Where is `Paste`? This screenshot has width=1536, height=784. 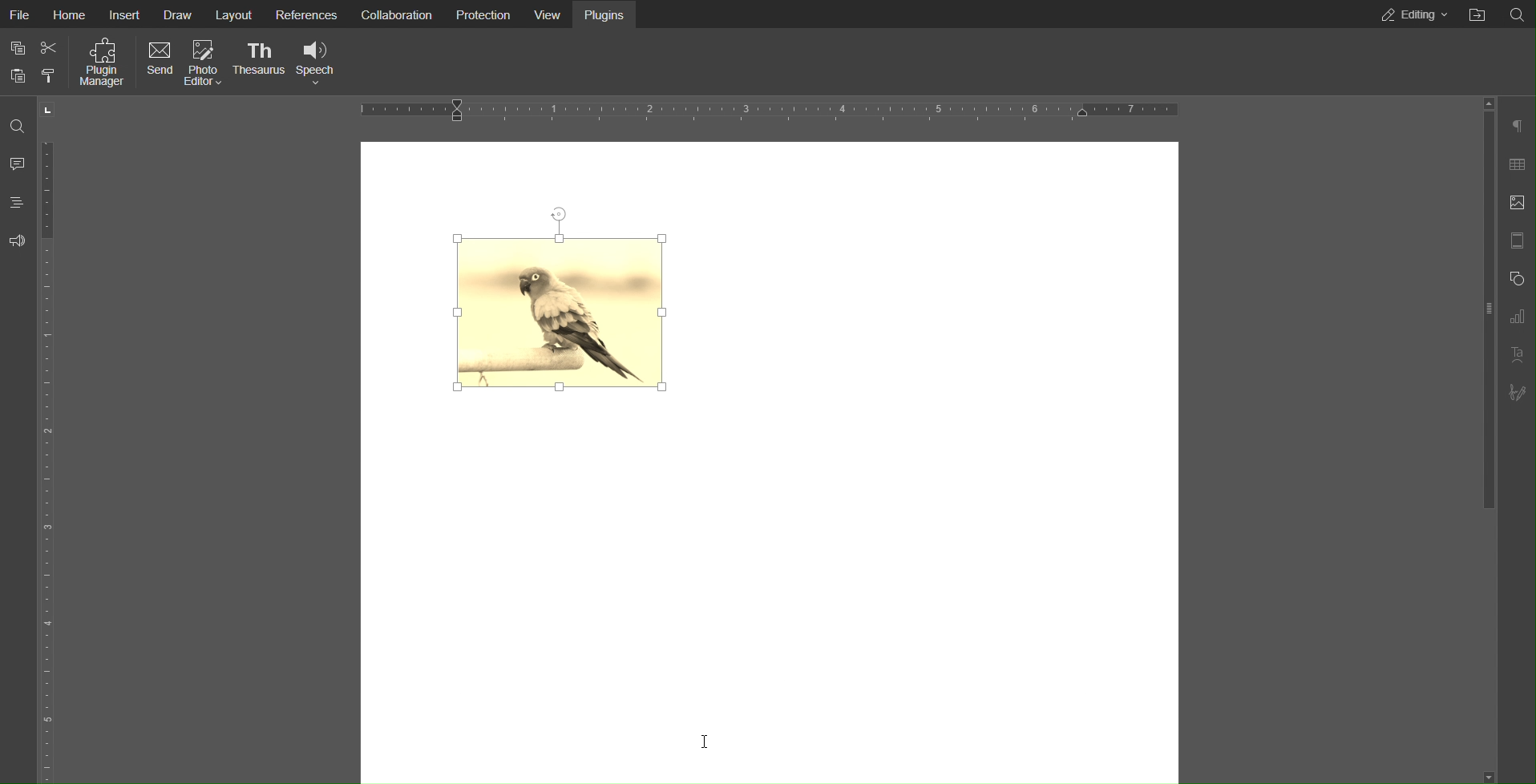 Paste is located at coordinates (18, 75).